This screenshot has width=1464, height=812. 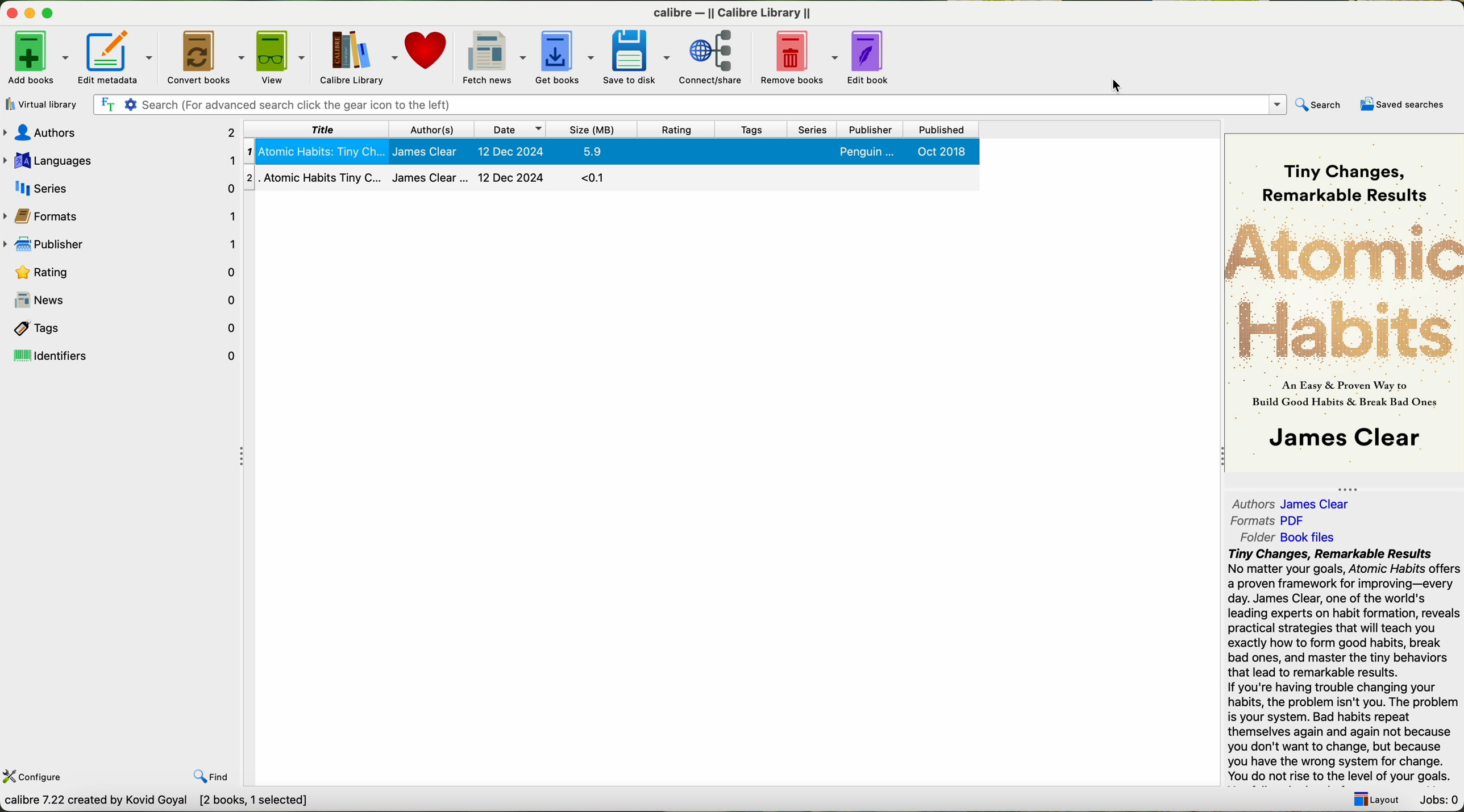 I want to click on edit book, so click(x=871, y=59).